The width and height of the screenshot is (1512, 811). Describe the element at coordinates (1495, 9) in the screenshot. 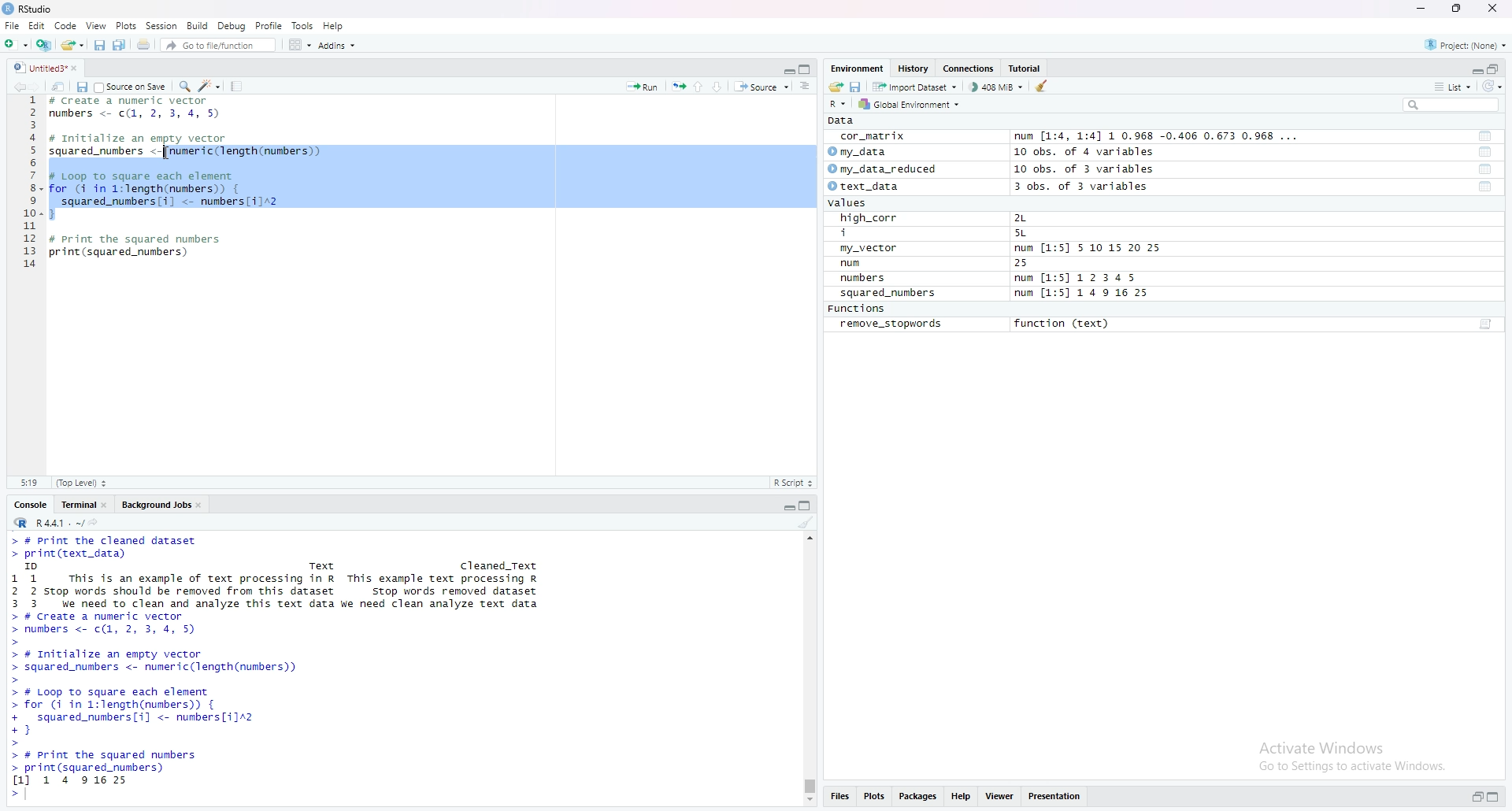

I see `close` at that location.